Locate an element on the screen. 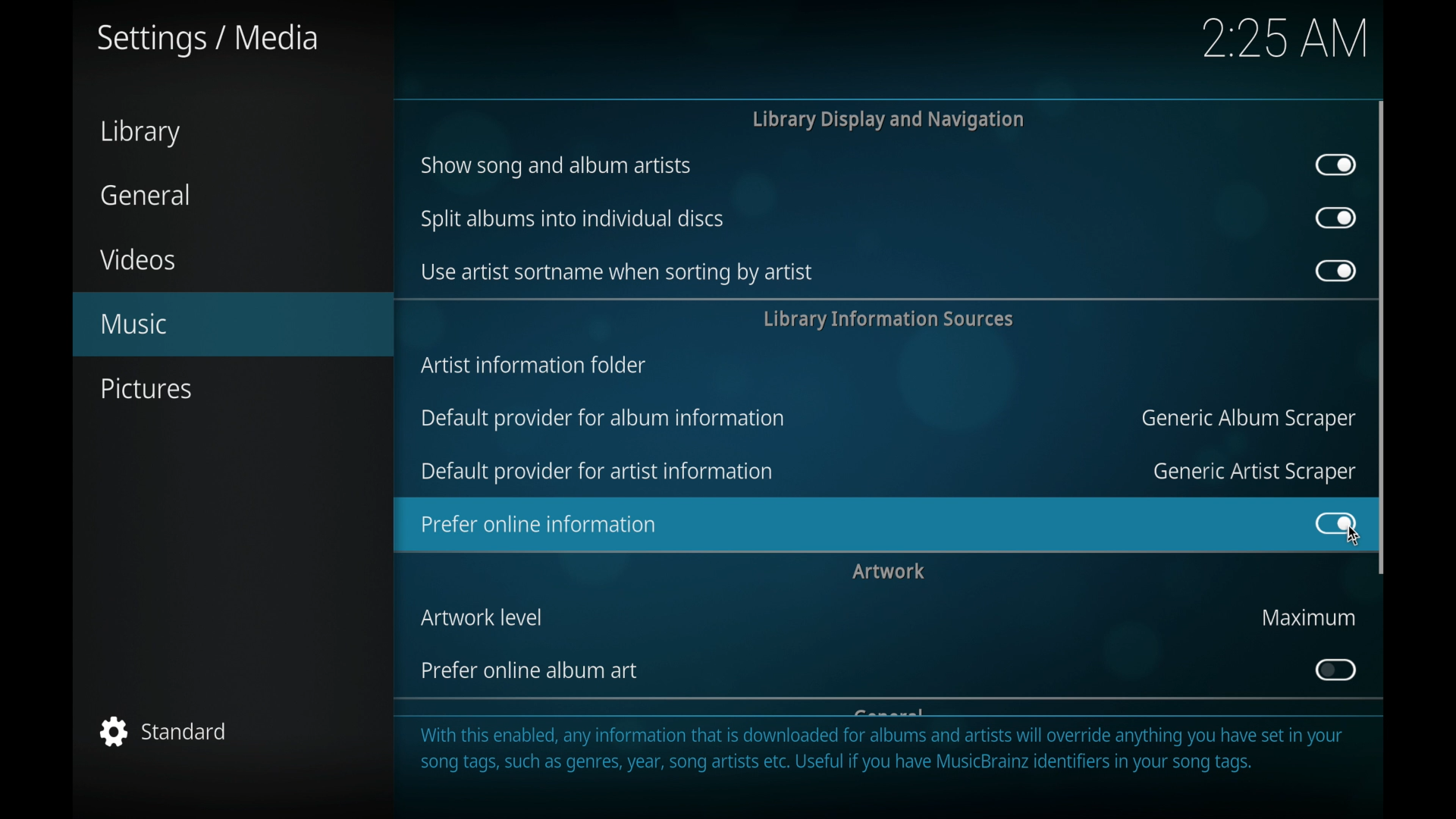  artist information folder is located at coordinates (535, 366).